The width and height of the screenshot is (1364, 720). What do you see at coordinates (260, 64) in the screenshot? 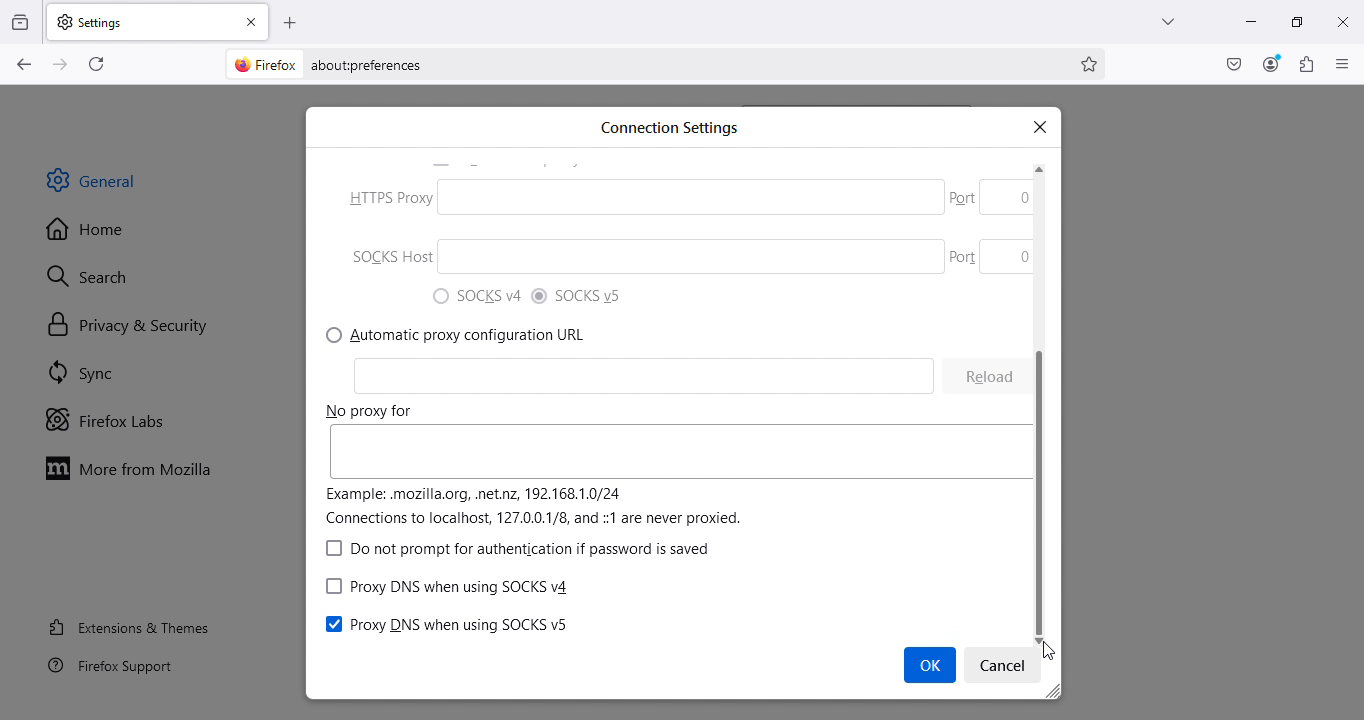
I see `firefox logo` at bounding box center [260, 64].